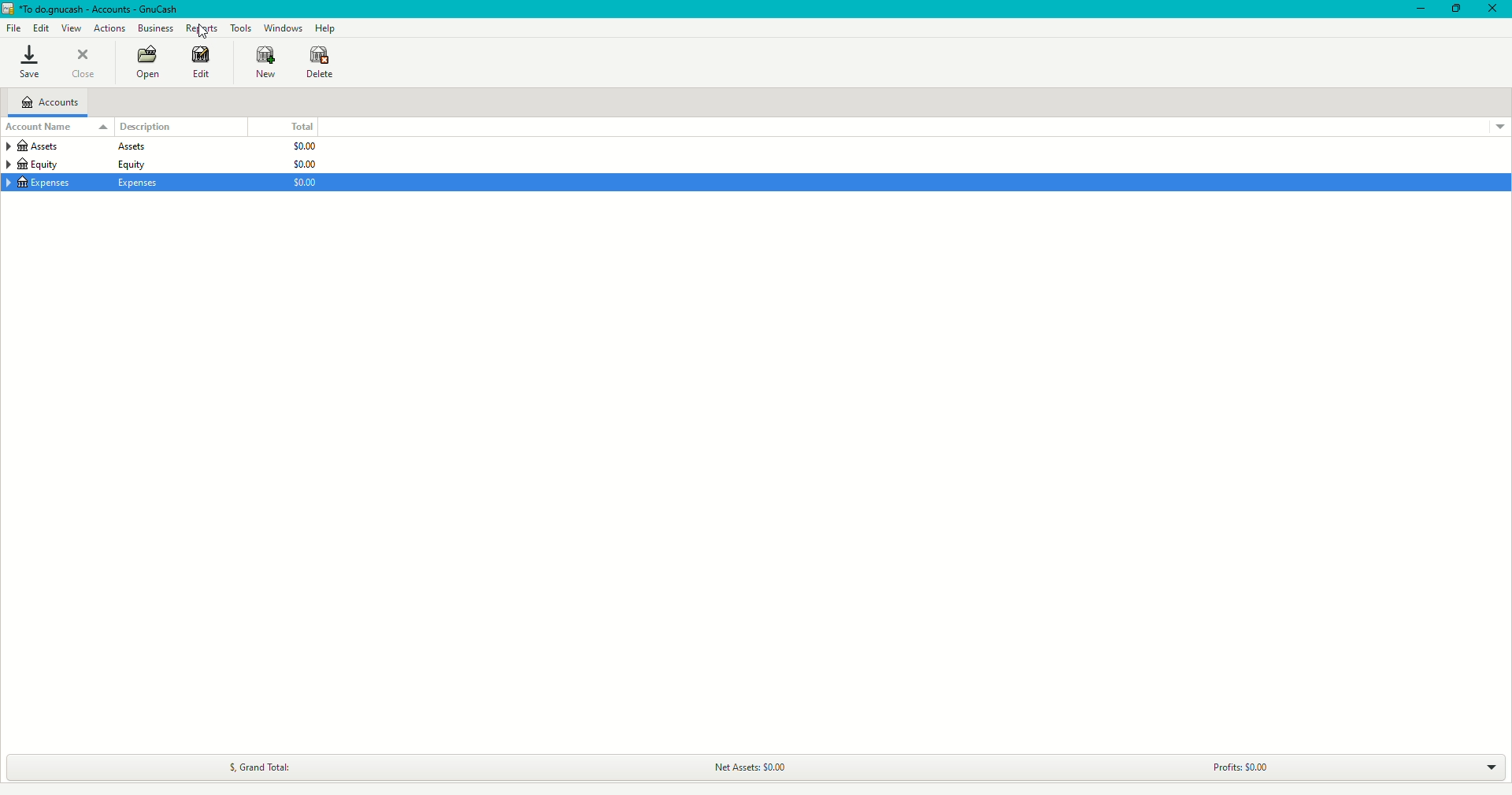 Image resolution: width=1512 pixels, height=795 pixels. I want to click on Tools, so click(242, 28).